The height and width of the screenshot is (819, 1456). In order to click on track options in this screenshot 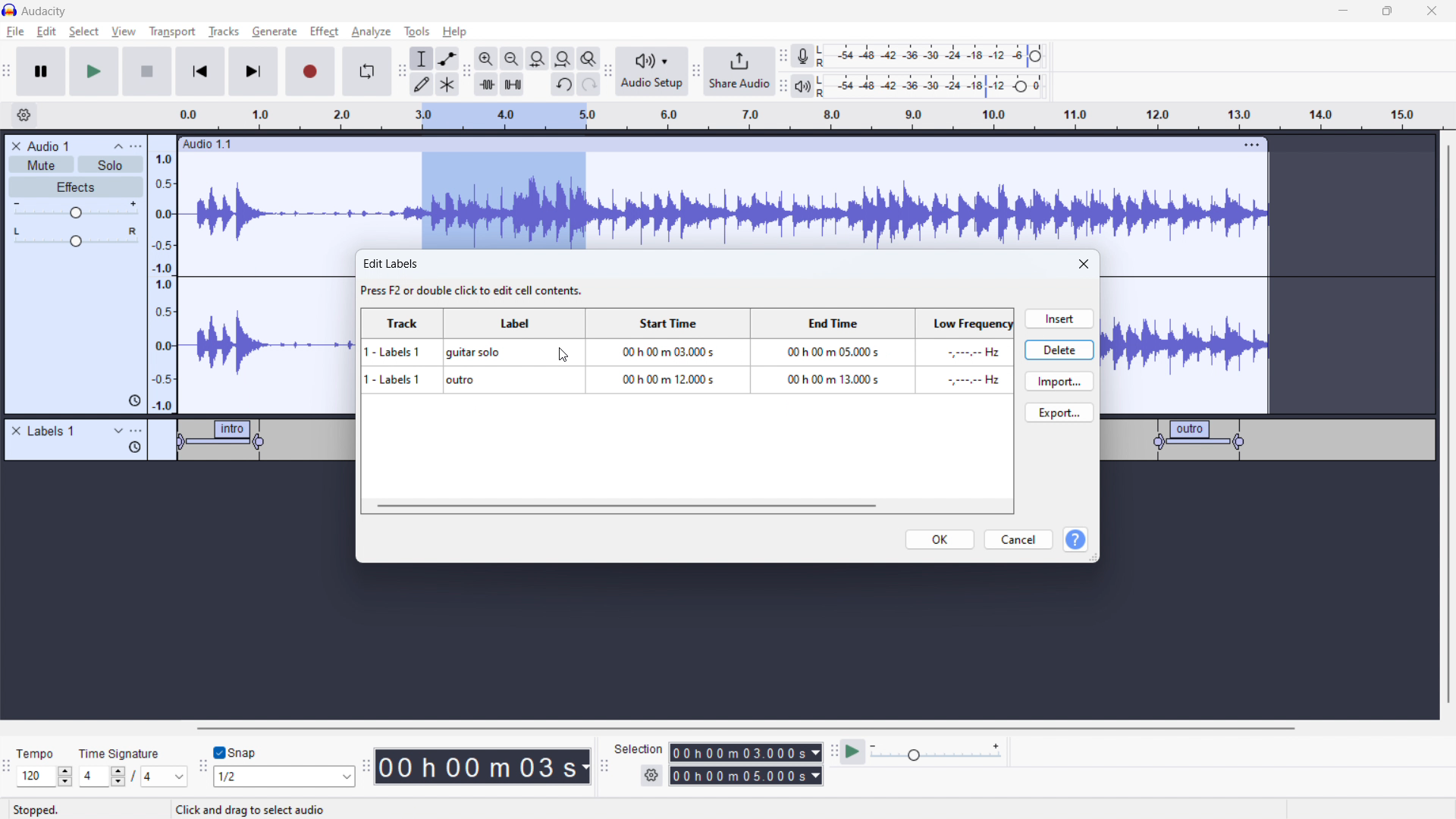, I will do `click(1254, 143)`.